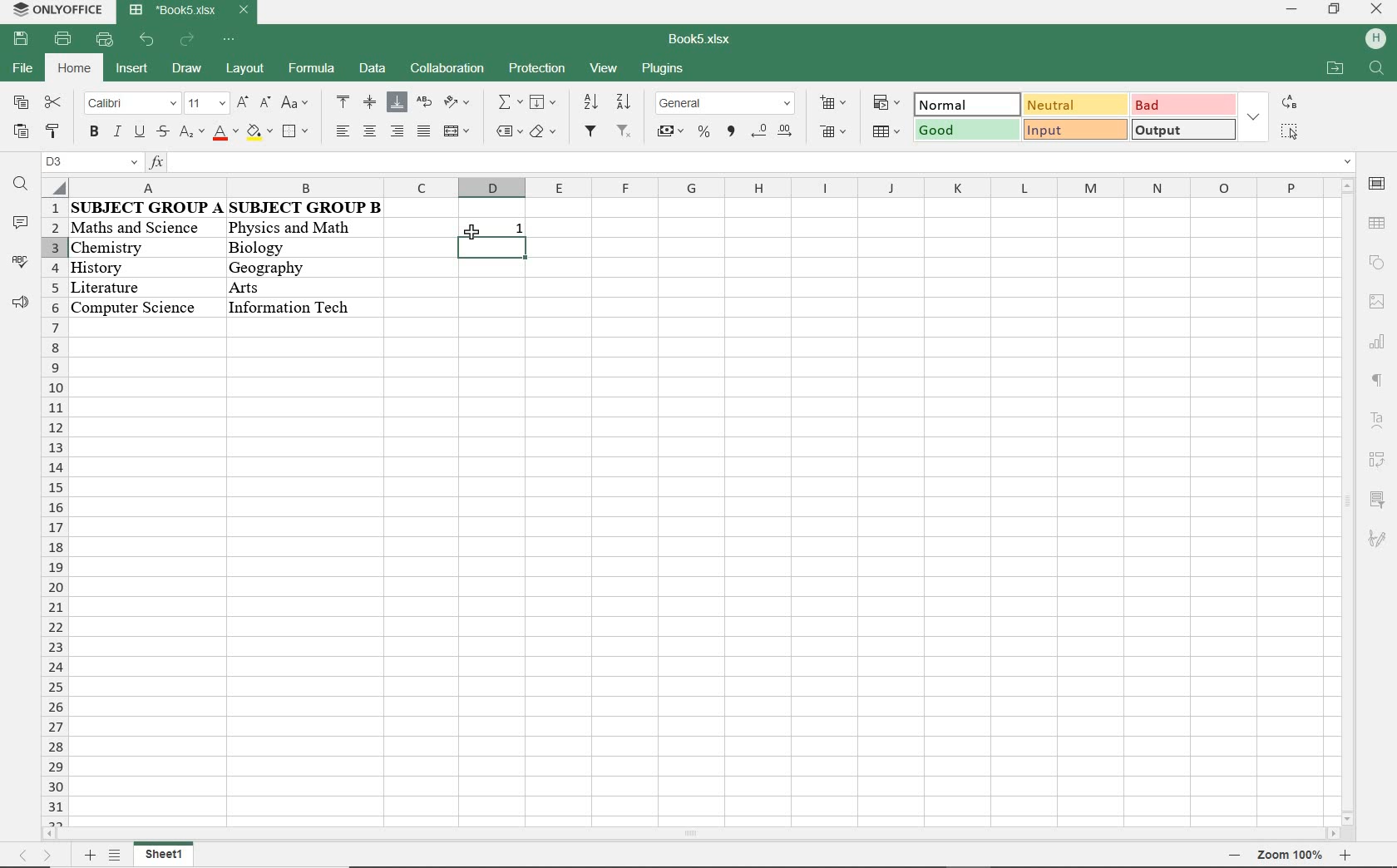 This screenshot has height=868, width=1397. What do you see at coordinates (1074, 105) in the screenshot?
I see `neutral` at bounding box center [1074, 105].